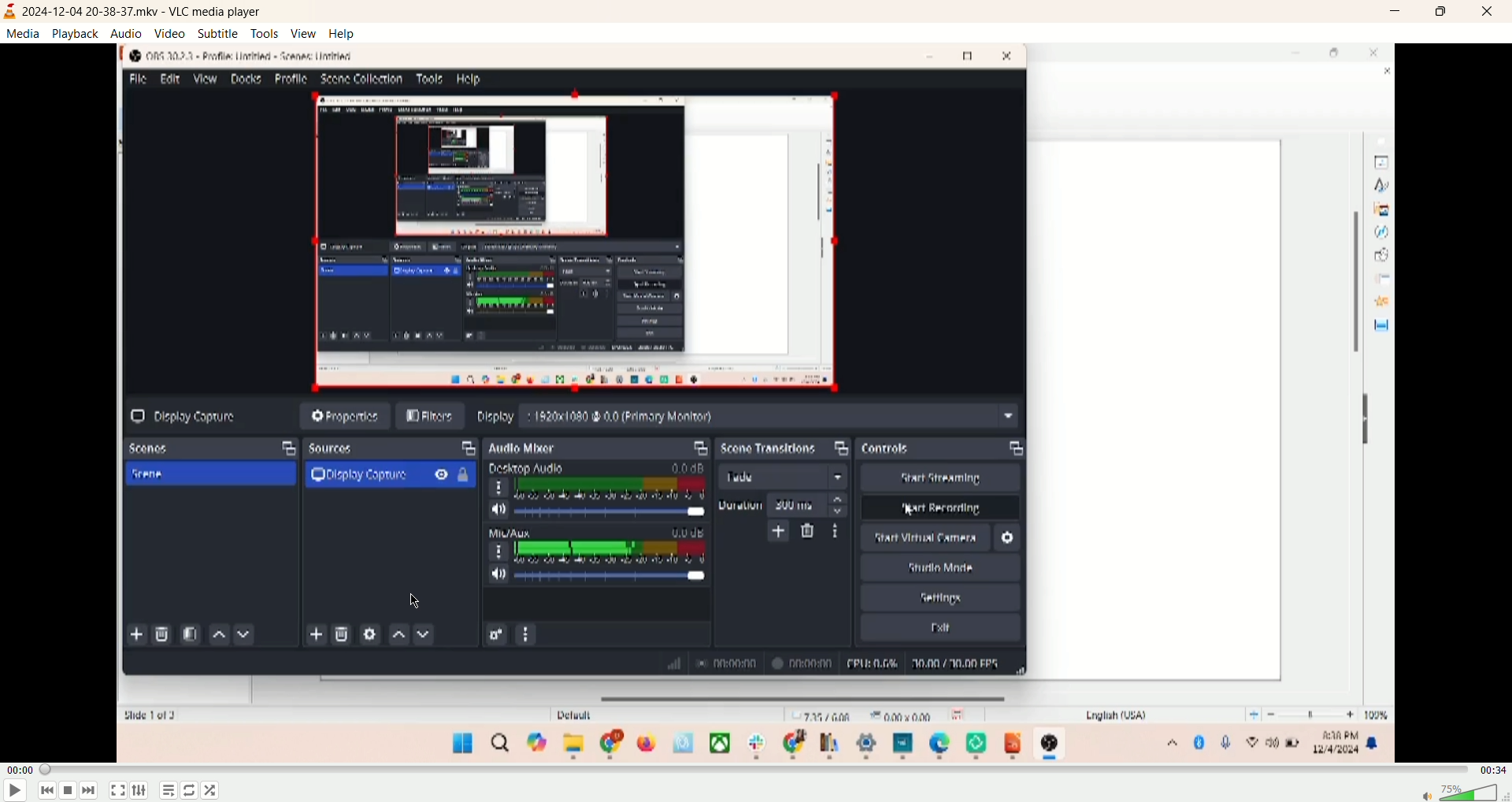  Describe the element at coordinates (209, 791) in the screenshot. I see `random` at that location.